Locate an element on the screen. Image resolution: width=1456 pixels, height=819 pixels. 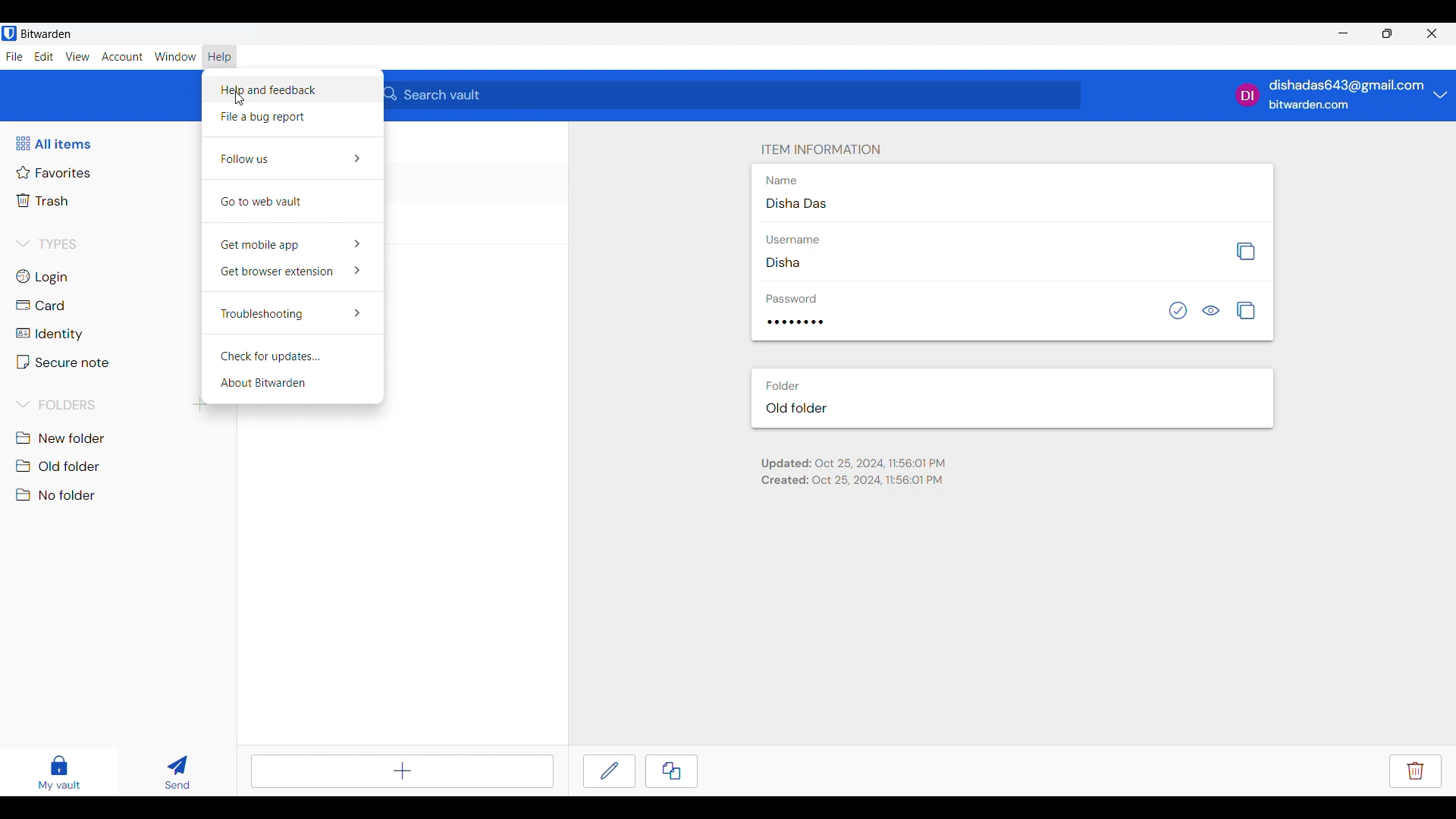
New folder is located at coordinates (61, 438).